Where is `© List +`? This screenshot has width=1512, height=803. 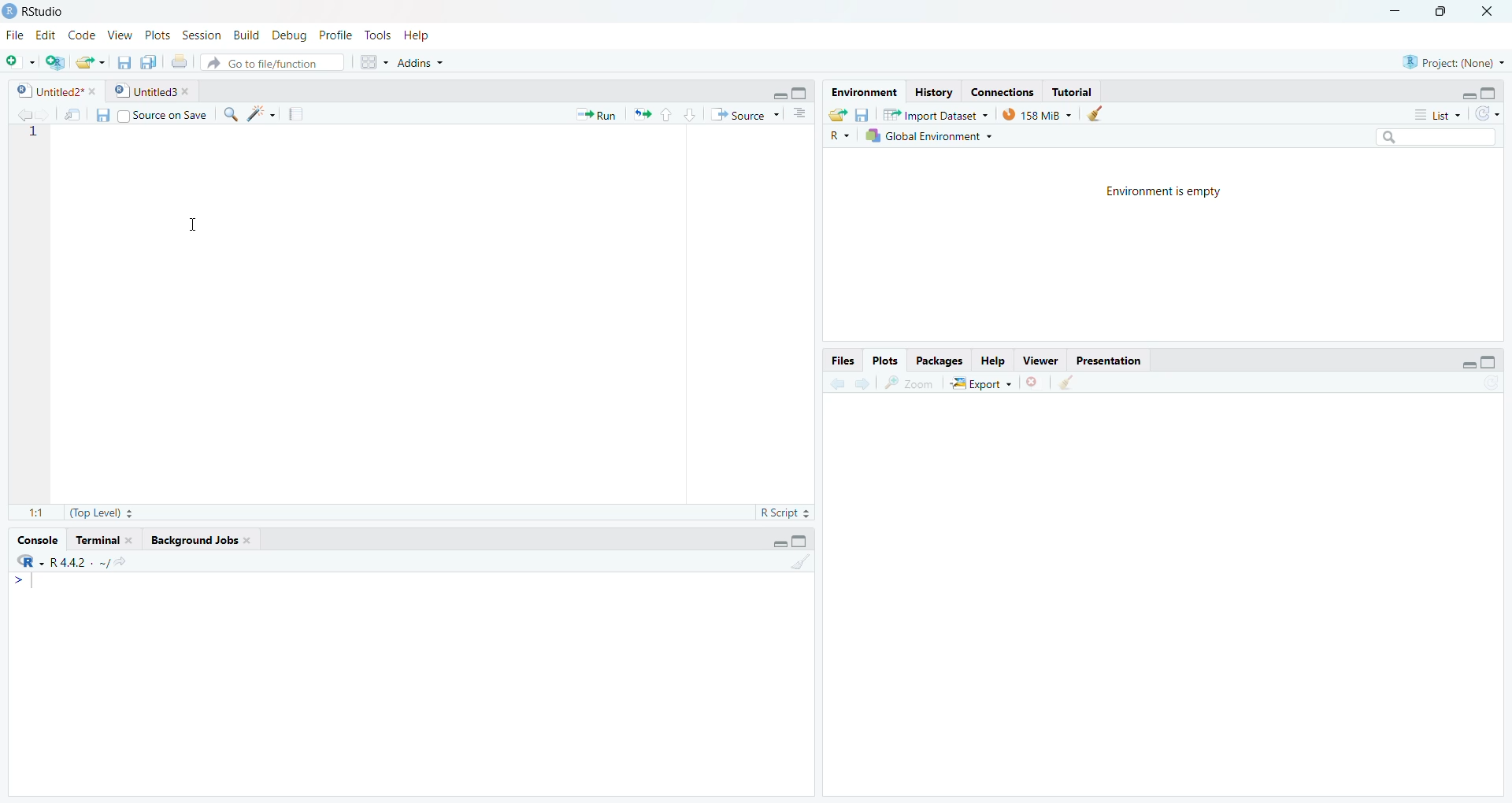
© List + is located at coordinates (1437, 113).